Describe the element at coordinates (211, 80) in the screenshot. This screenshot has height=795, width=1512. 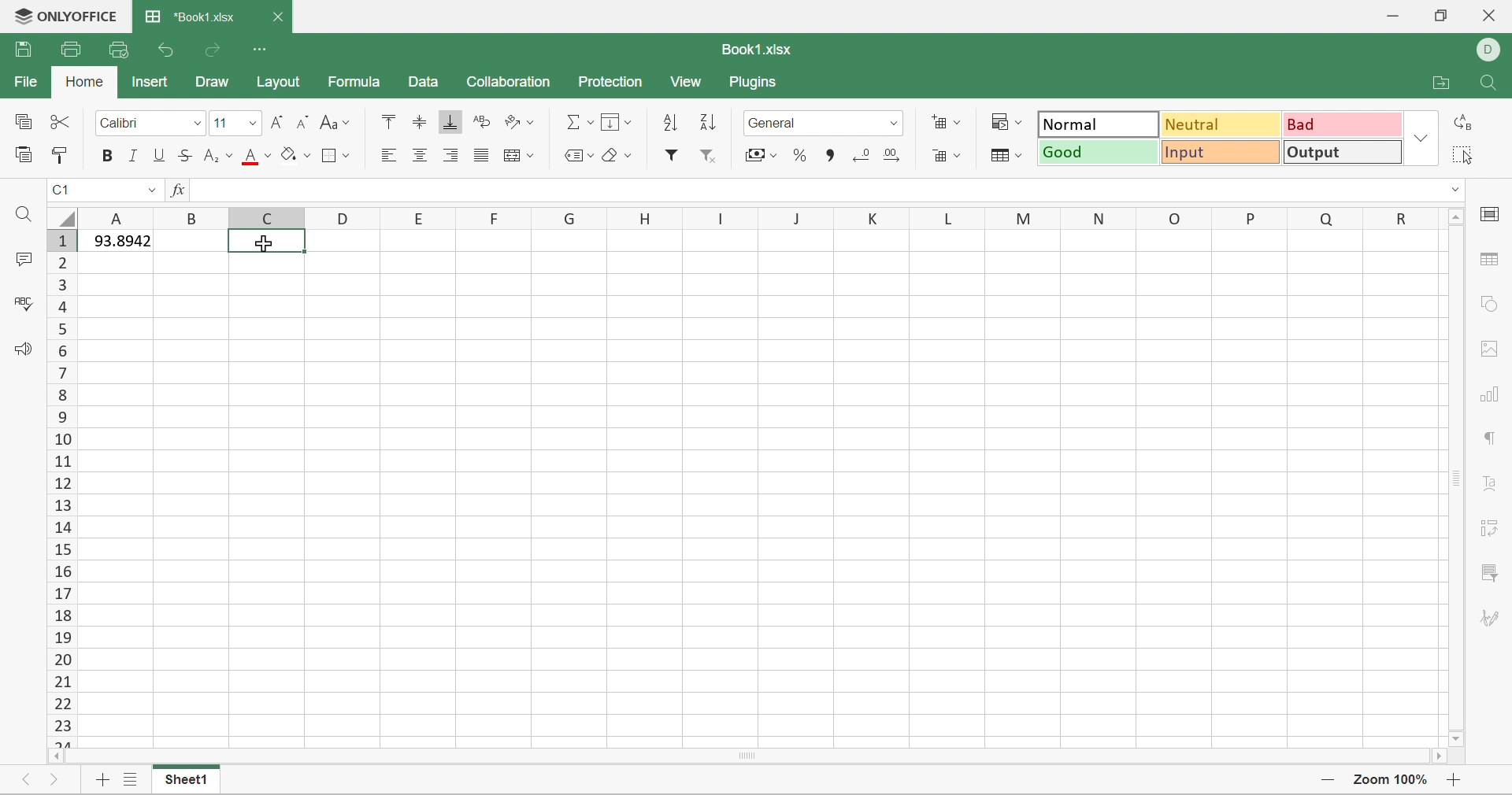
I see `Draw` at that location.